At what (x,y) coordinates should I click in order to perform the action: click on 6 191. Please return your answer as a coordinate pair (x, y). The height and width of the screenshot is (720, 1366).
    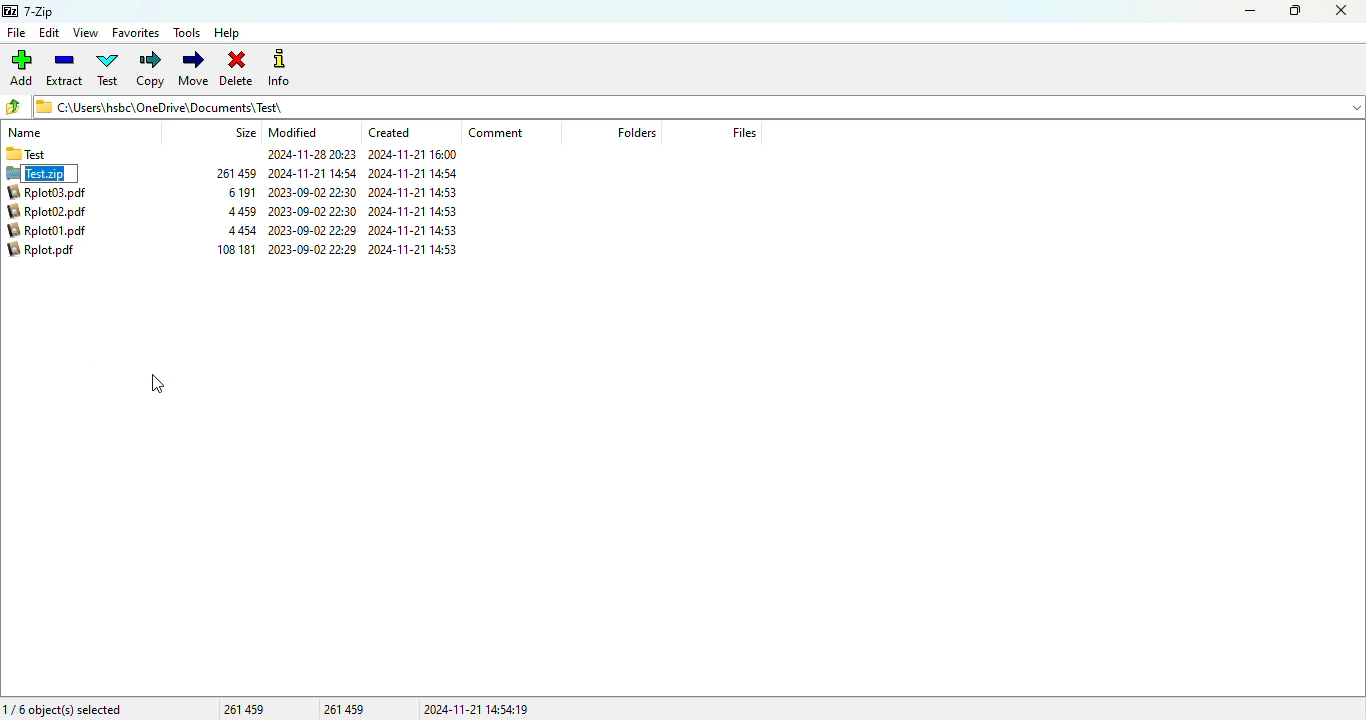
    Looking at the image, I should click on (242, 192).